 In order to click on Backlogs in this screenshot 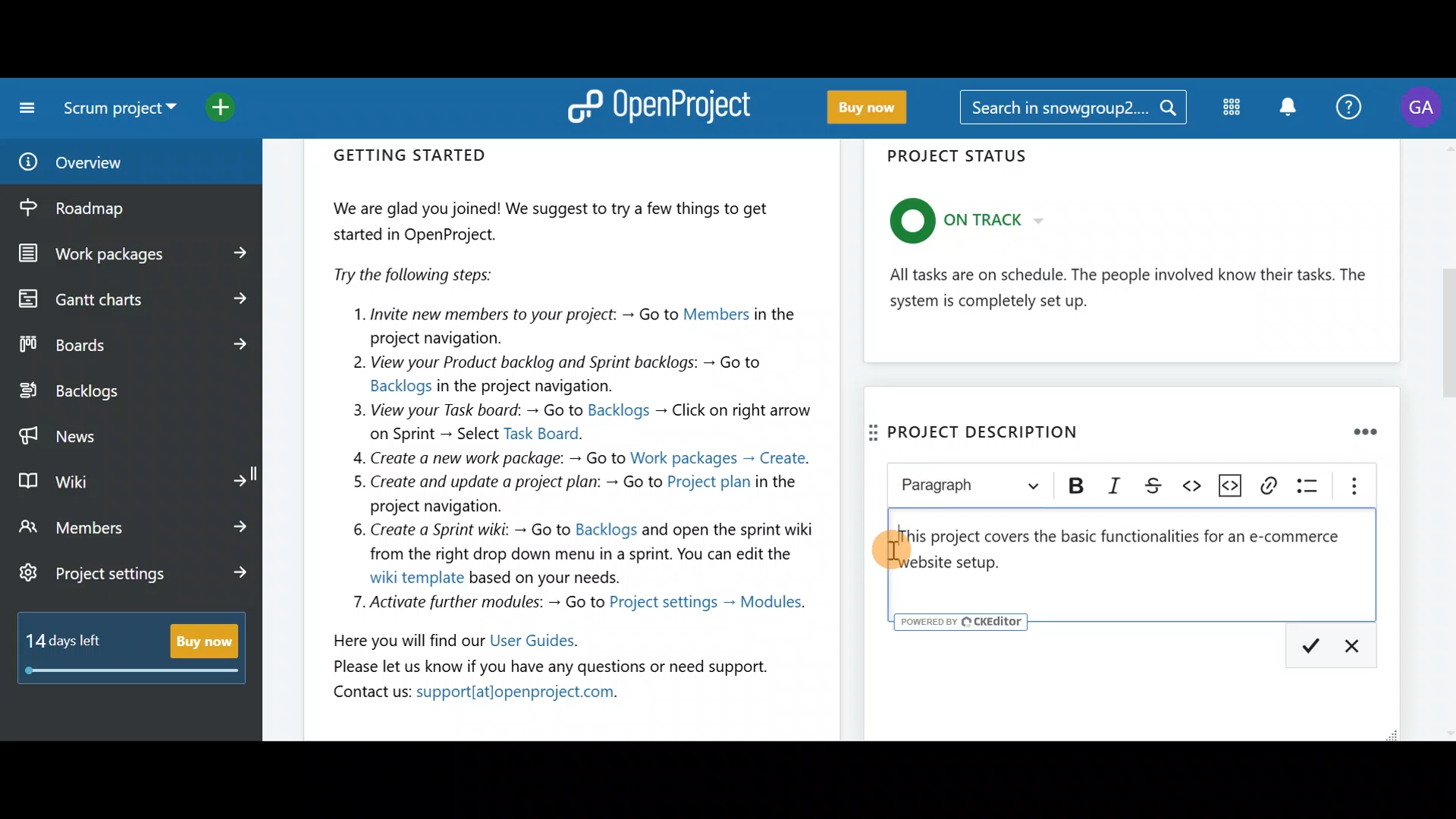, I will do `click(118, 392)`.